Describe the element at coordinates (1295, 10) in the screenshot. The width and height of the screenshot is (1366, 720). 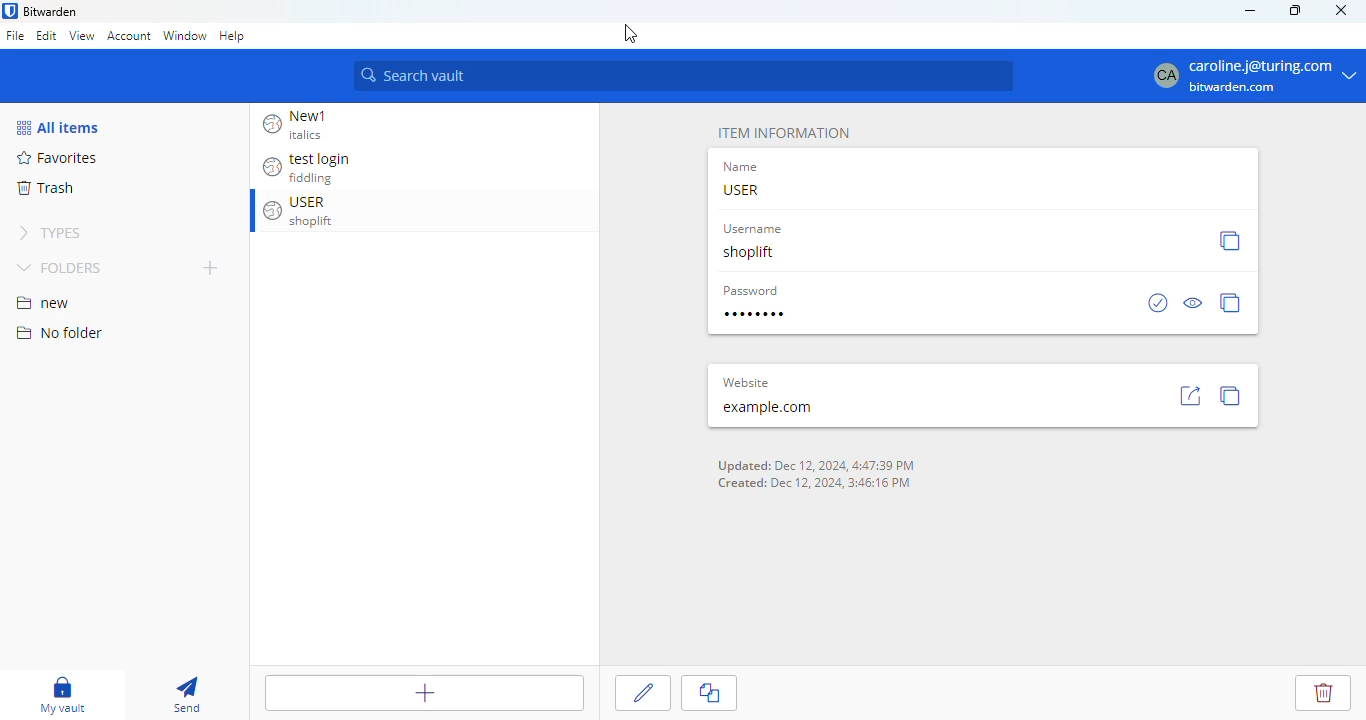
I see `maximize` at that location.